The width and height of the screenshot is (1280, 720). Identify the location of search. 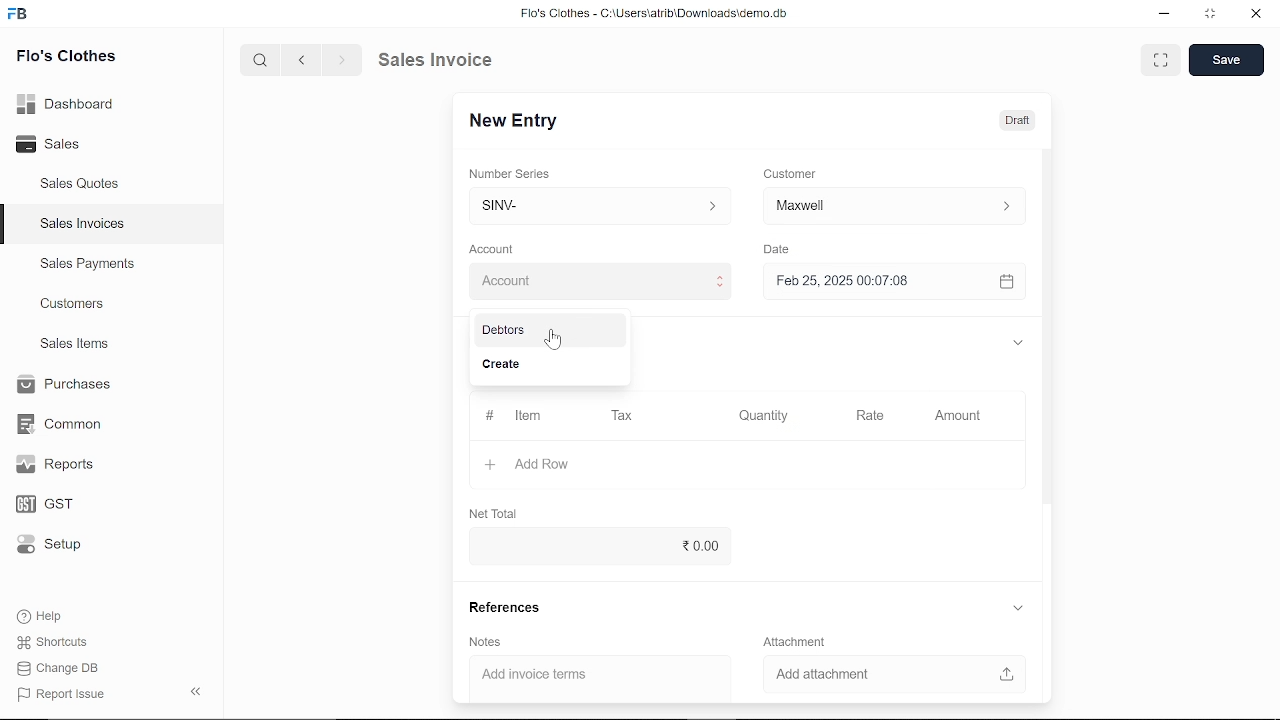
(263, 61).